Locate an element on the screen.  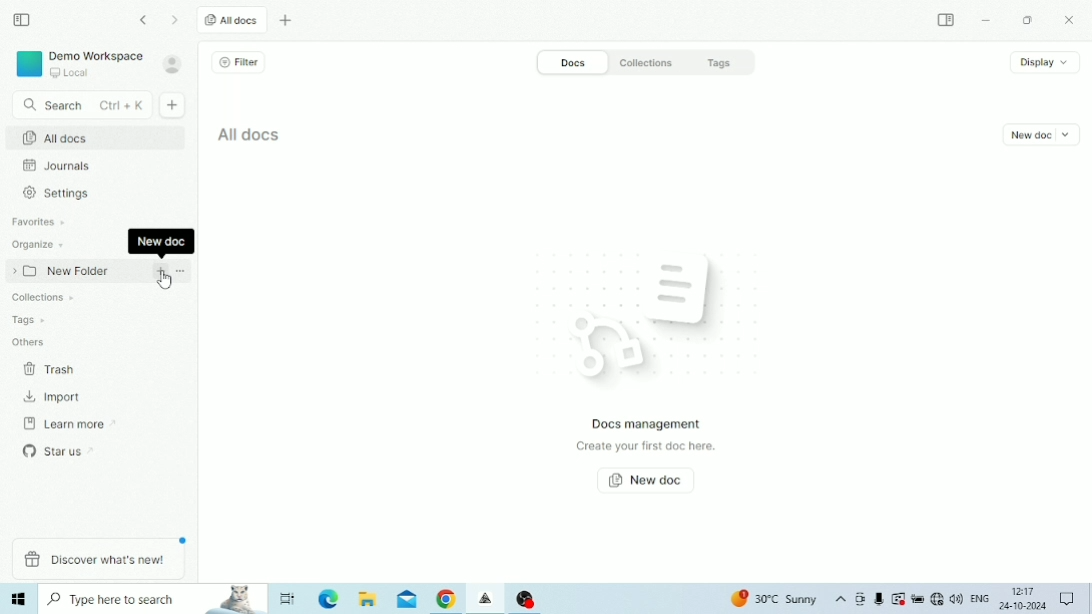
Journals is located at coordinates (57, 165).